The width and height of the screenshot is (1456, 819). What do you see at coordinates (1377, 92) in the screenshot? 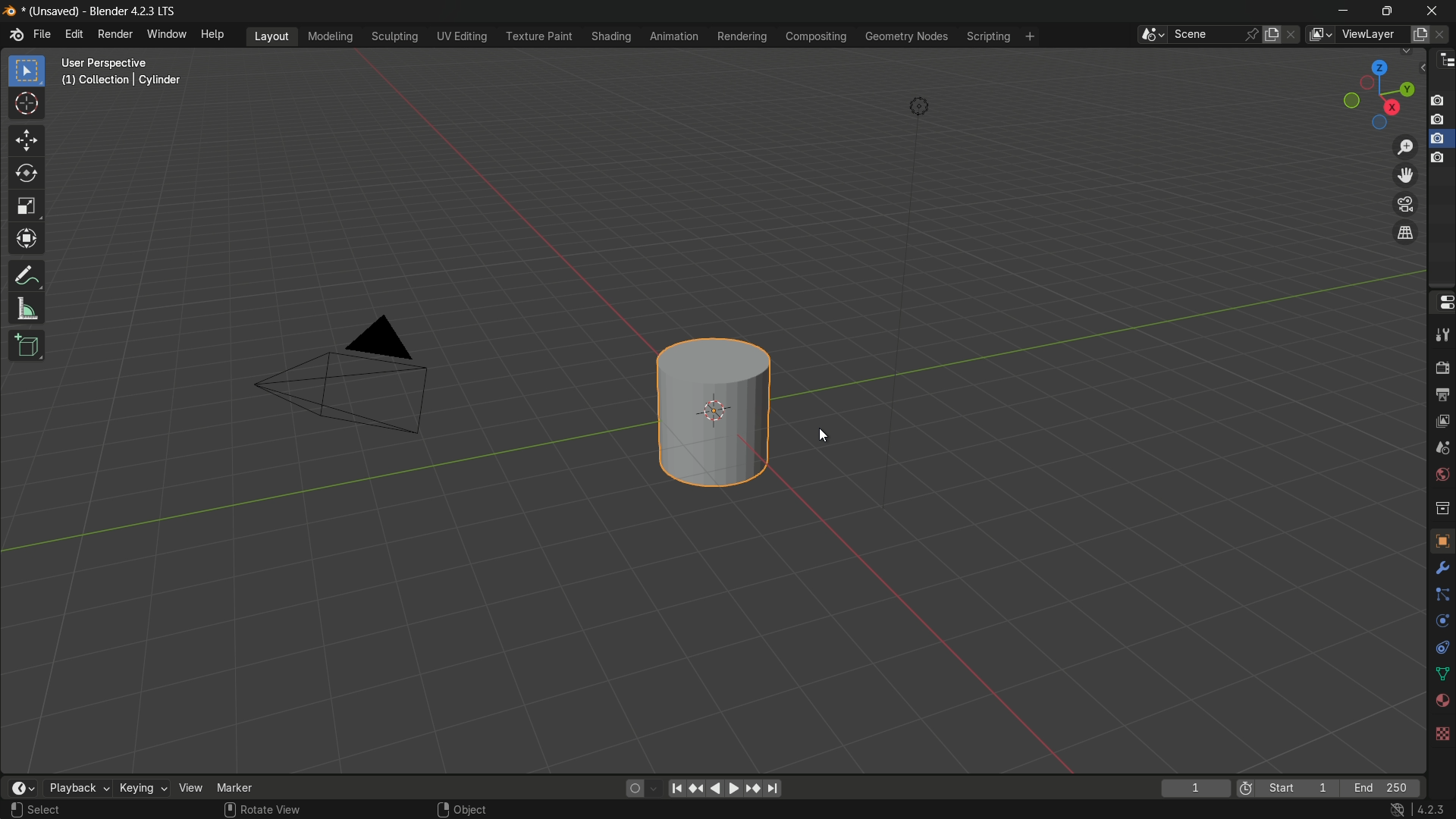
I see `rotate or preset viewpoint` at bounding box center [1377, 92].